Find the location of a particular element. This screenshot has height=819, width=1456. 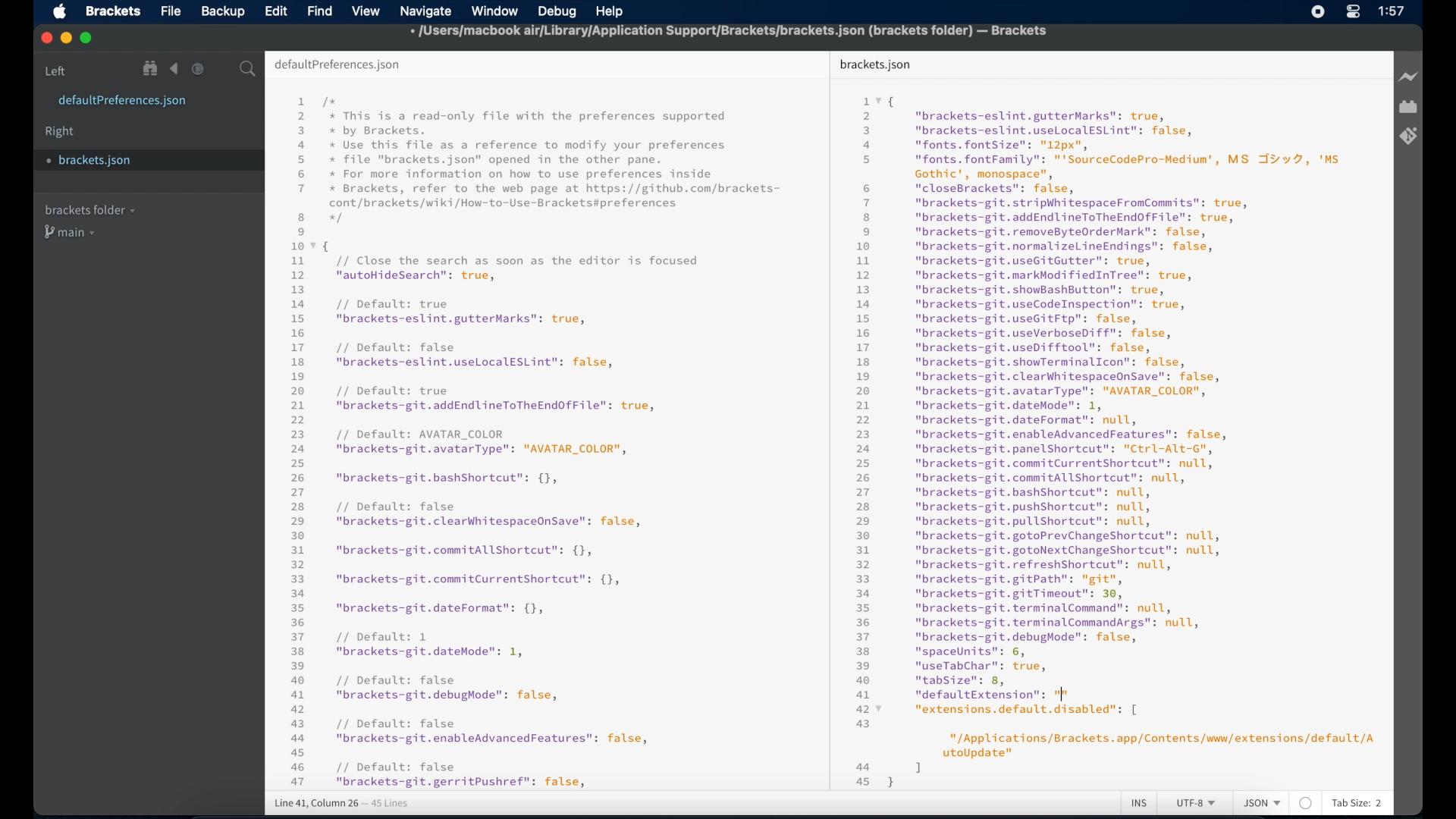

I/x 2 x This is a read-only file with the preferences supported3 x by Brackets.4 x Use this file as a reference to modify your preferences5 x file "brackets.json" opened in the other pane.6 x For more information on how to use preferences inside7 x Brackets, refer to the web page at https://github.com/brackets-cont/brackets/wiki/How-to-Use-Brackets#preferences8 x9107 {1 // Close the search as soon as the editor is focused12 "autoHideSearch": true,131a // Default: true15 "brackets-eslint.gutterMarks": true,1617 // Default: false18 "brackets-eslint.uselocalESLint": false,1920 // Default: true21 "brackets-git.addEndlineToTheEndOfFile": true,2223 // Default: AVATAR_COLOR24 "brackets-git.avatarType": "AVATAR_COLOR",2526 "brackets-git.bashshortcut": {},2728 // Default: false29 "brackets-git.clearWhitespaceOnsave": false,3031 "brackets-git.commitAllShortcut": {},3233 "brackets-git.commitCurrentShortcut": {},3435 "brackets-git.dateFormat": {},3637 // Default: 138 "brackets-git.dateMode": 1,3940 // Default: falsea1 "brackets-git.debugMode": false,a2a3 // Default: false44 "brackets-git.enableAdvancedFeatures": false,as46 // Default: false47 "brackets-git.gerritPushref": false, is located at coordinates (536, 441).